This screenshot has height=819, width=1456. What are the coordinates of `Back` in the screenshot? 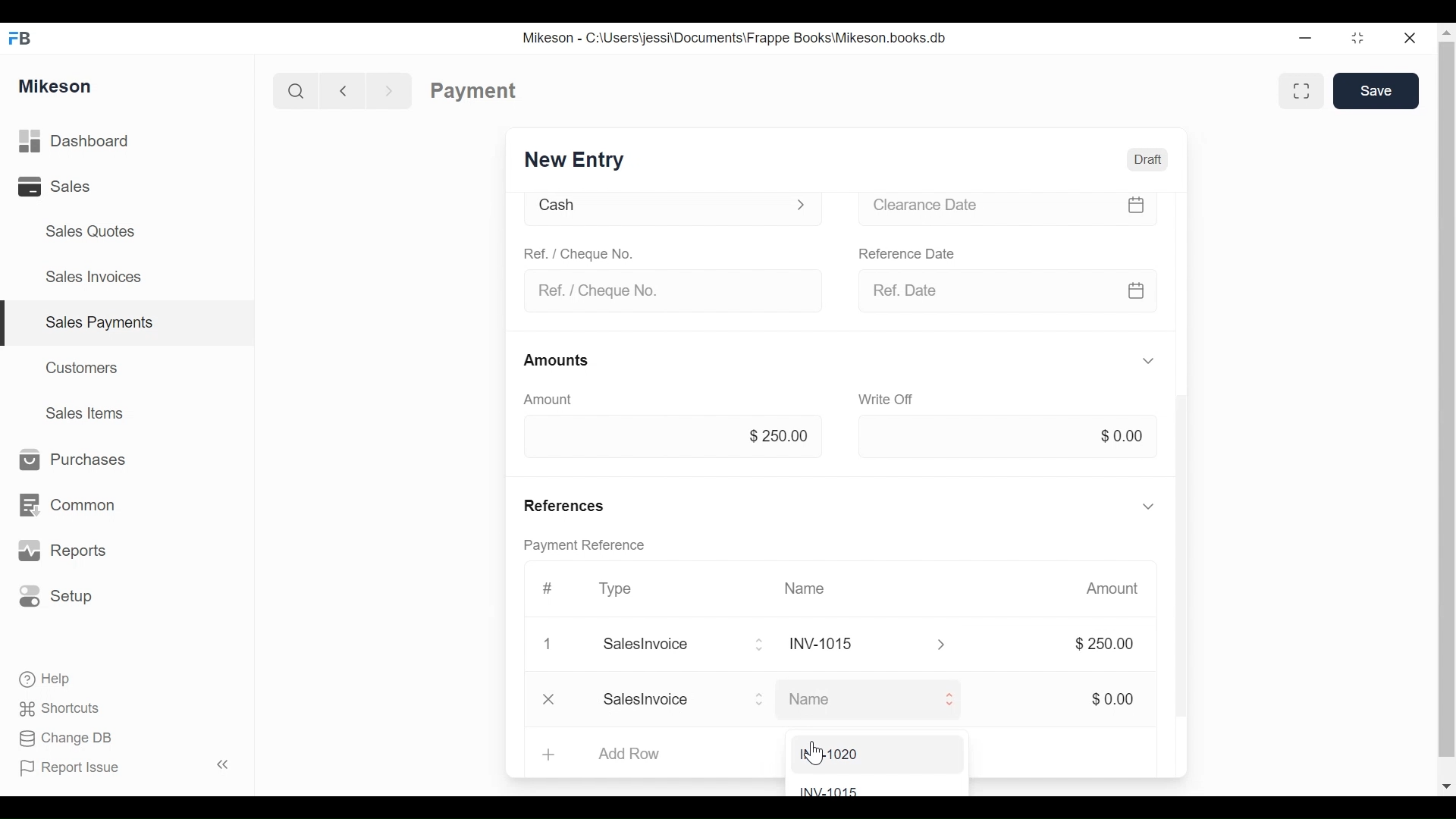 It's located at (350, 89).